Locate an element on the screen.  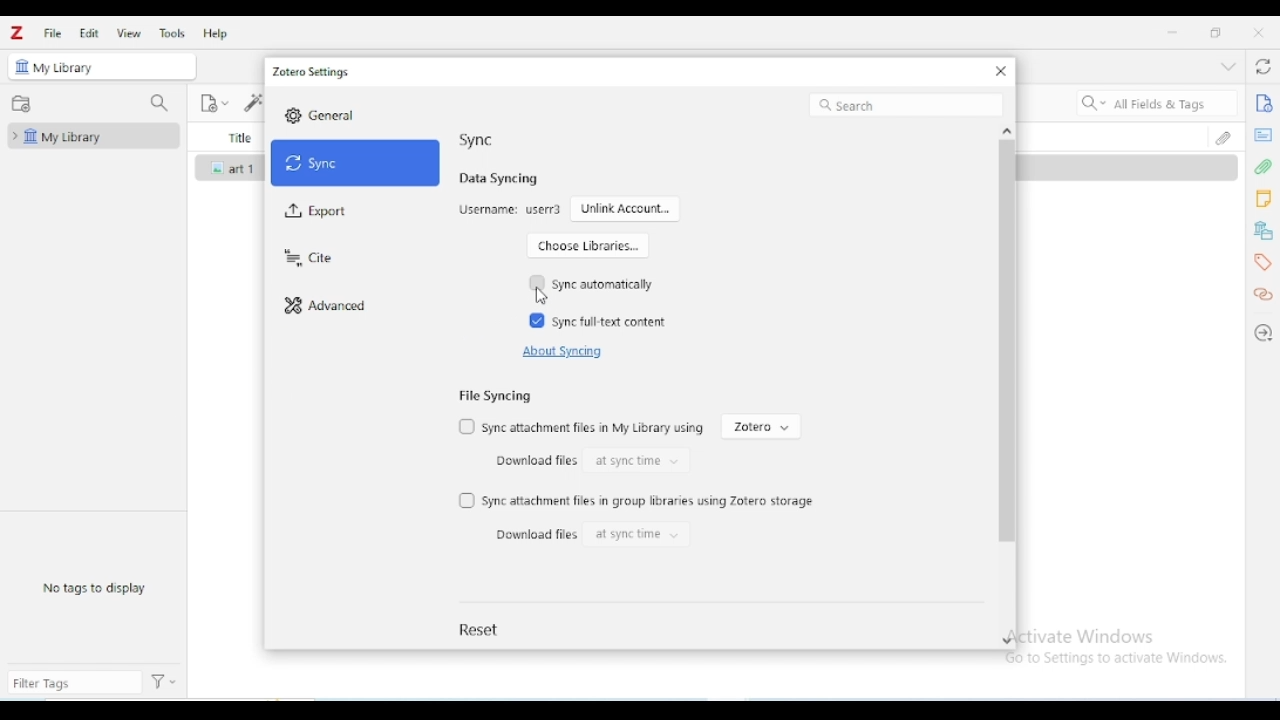
abstract is located at coordinates (1263, 135).